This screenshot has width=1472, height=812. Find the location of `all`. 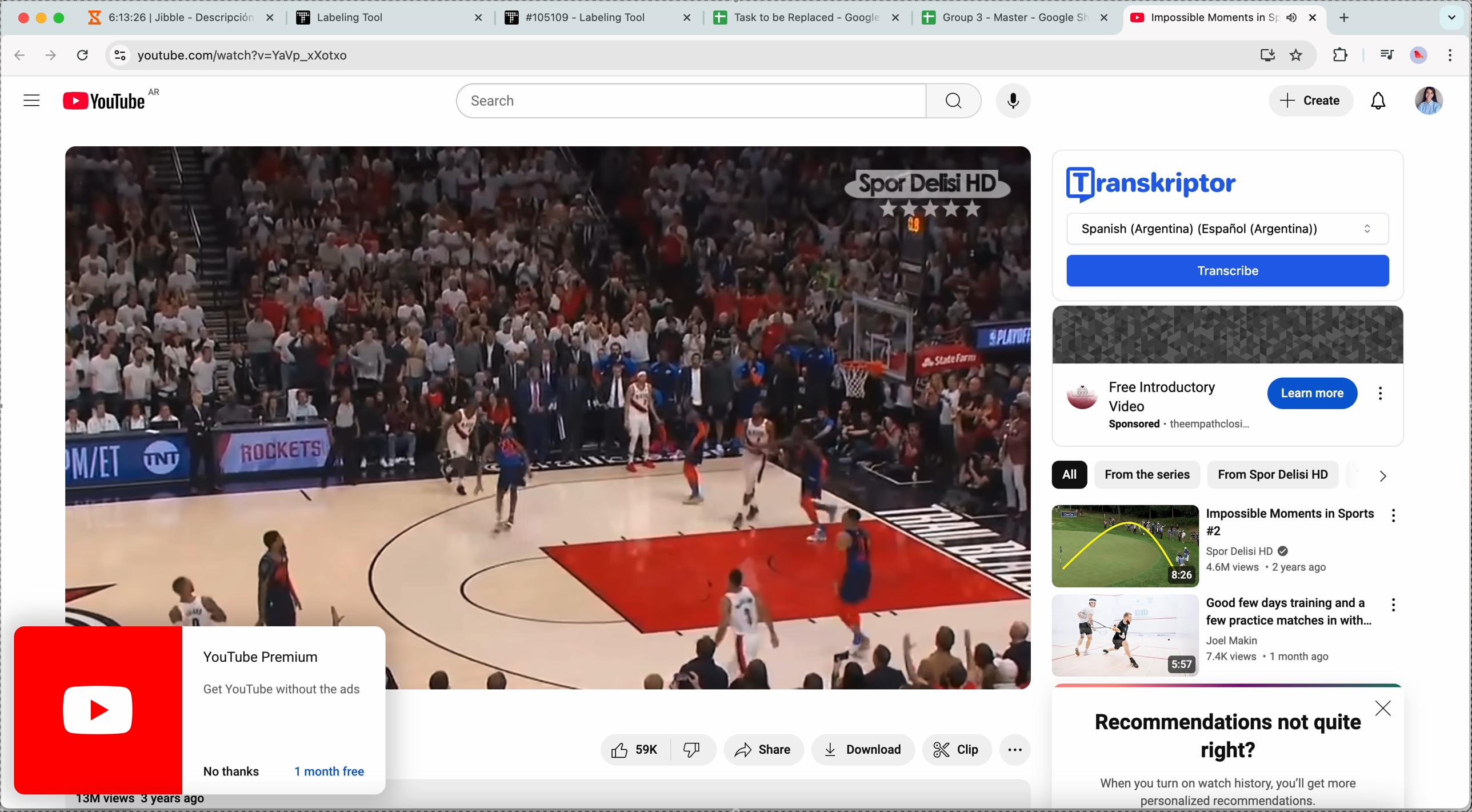

all is located at coordinates (1068, 475).